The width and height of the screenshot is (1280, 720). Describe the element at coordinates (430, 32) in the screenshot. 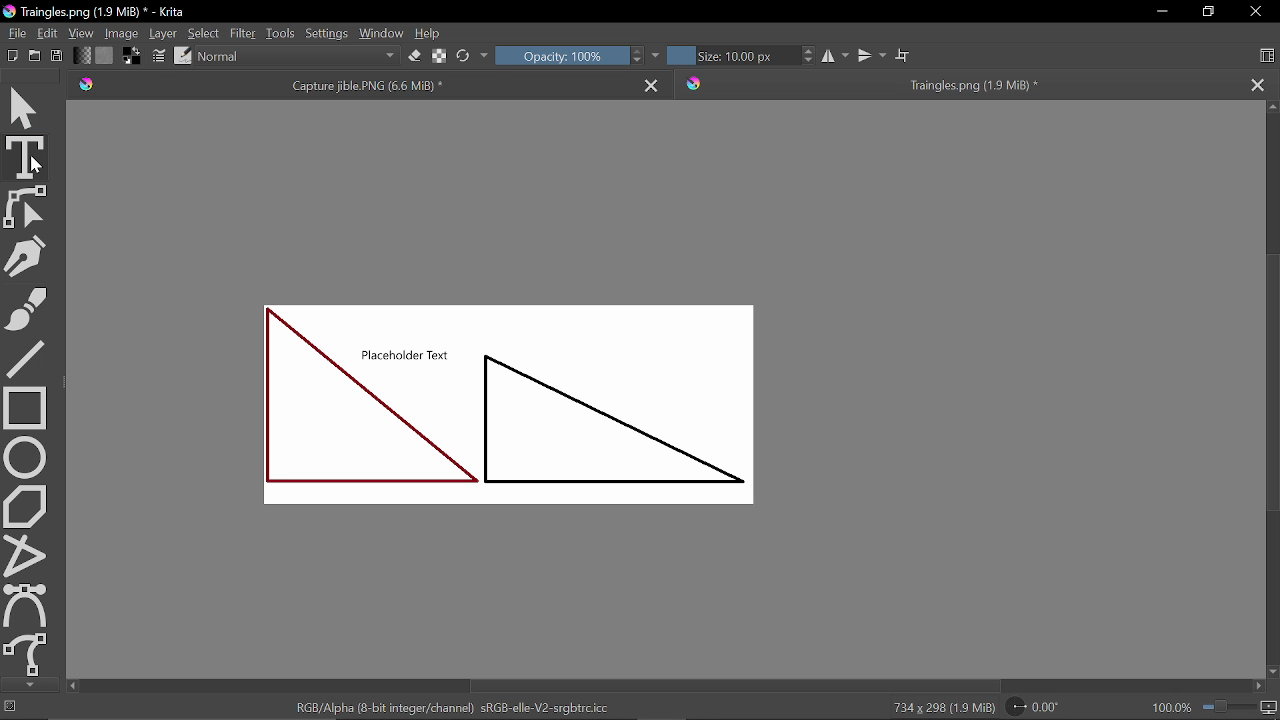

I see `Help` at that location.